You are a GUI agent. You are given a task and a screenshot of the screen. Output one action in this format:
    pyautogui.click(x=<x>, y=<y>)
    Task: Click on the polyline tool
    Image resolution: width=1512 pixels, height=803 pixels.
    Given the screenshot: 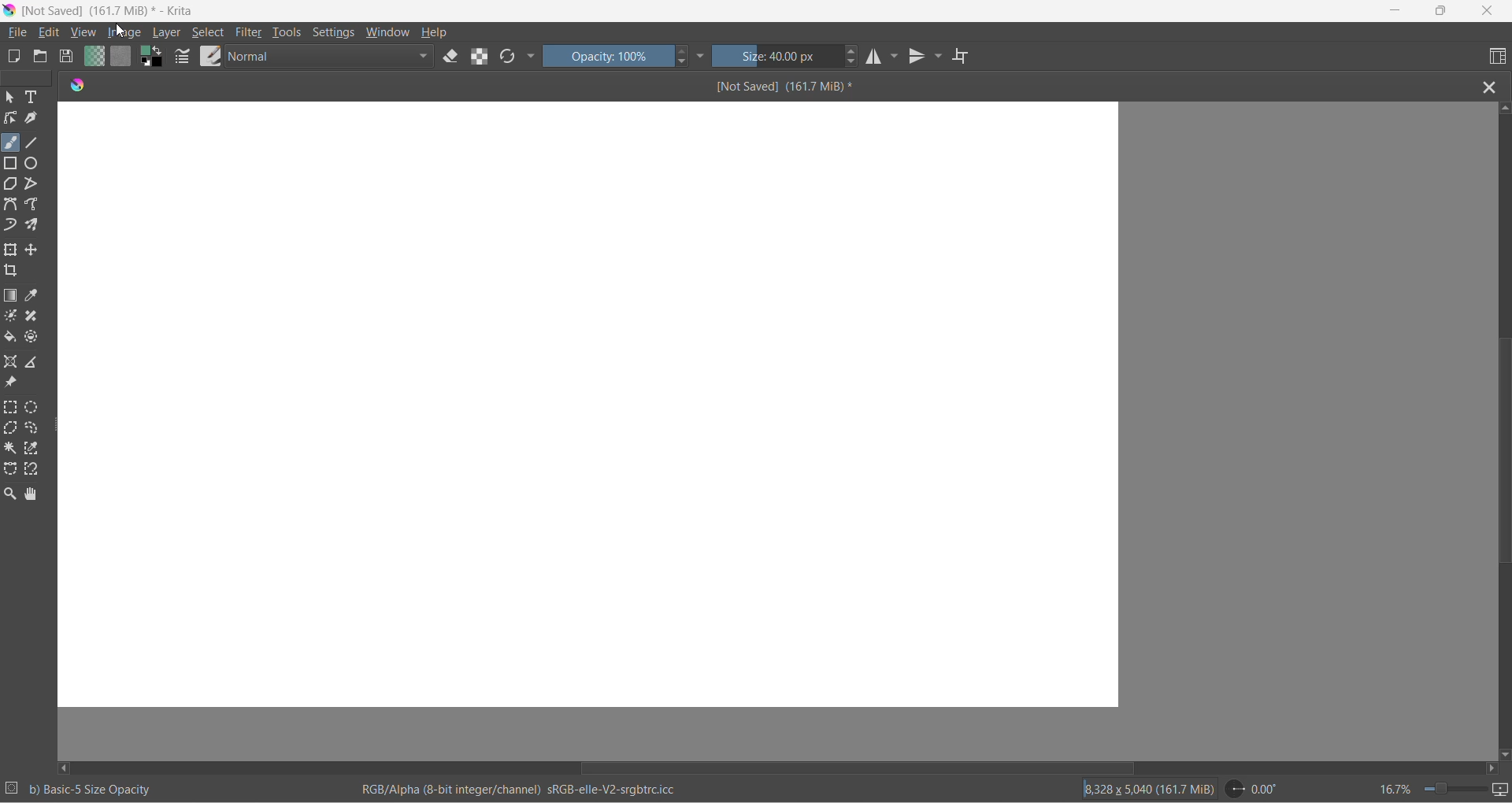 What is the action you would take?
    pyautogui.click(x=32, y=185)
    